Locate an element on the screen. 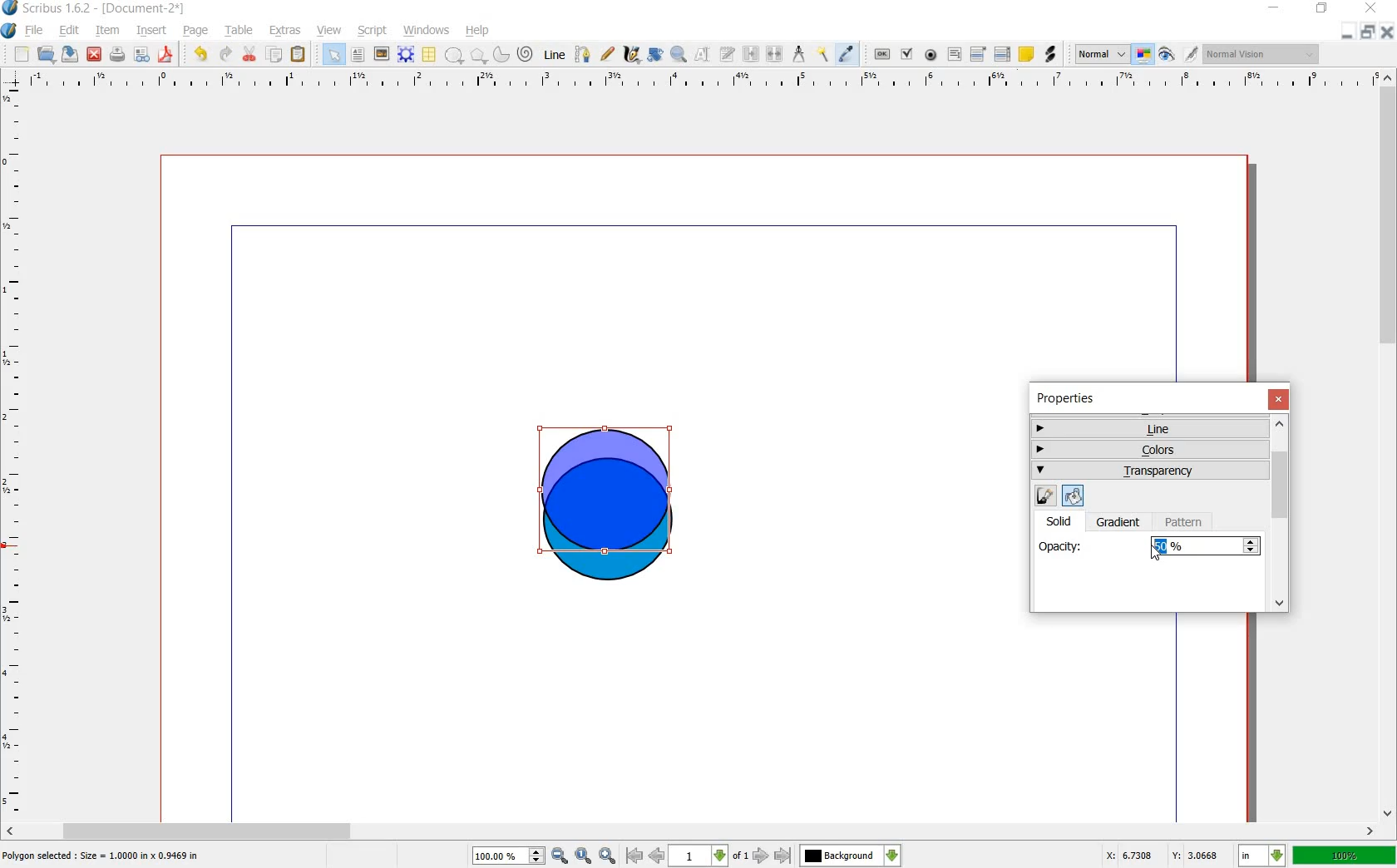 The height and width of the screenshot is (868, 1397). scrollbar is located at coordinates (1281, 515).